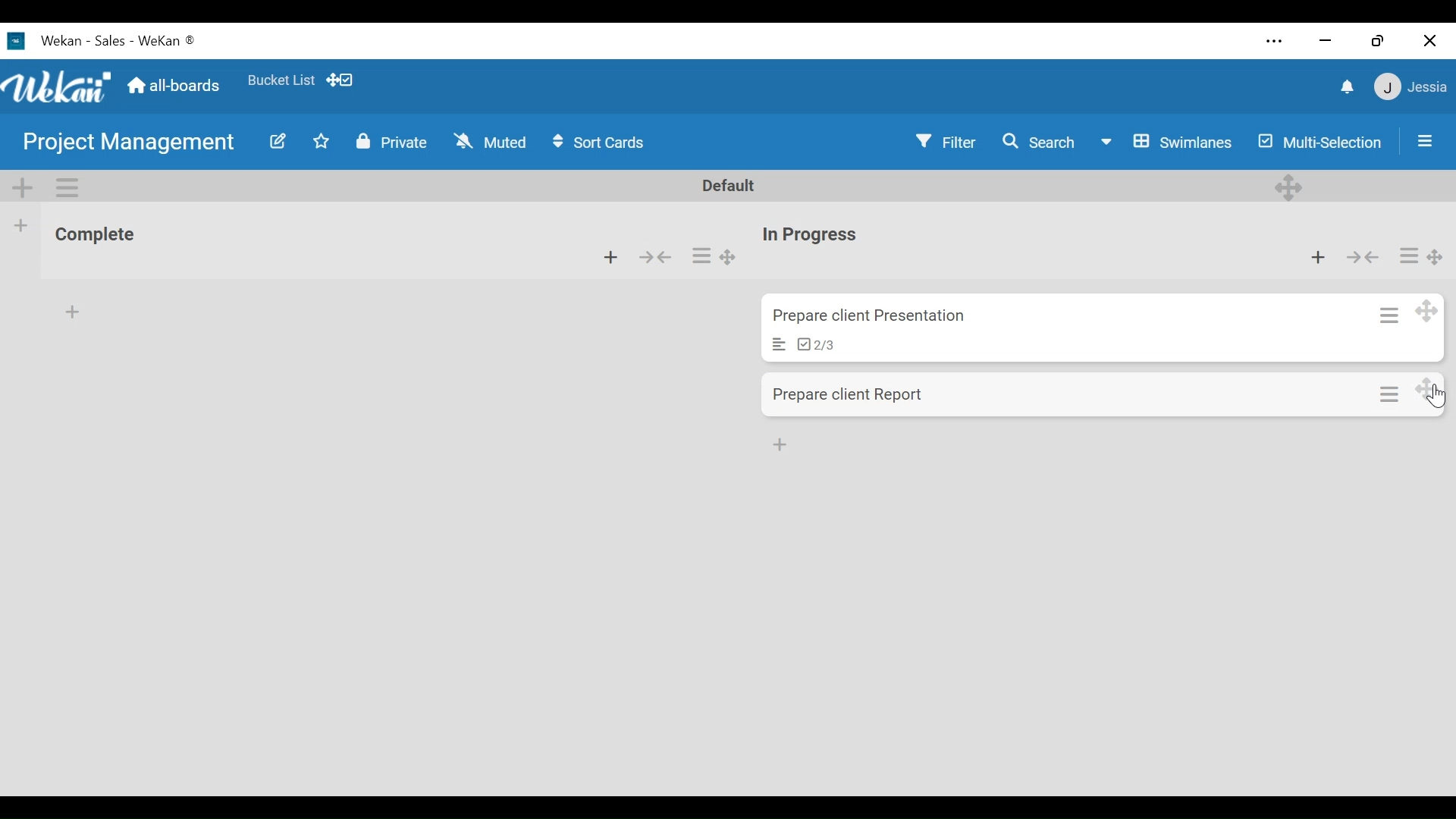  Describe the element at coordinates (1429, 388) in the screenshot. I see `Dekstop` at that location.